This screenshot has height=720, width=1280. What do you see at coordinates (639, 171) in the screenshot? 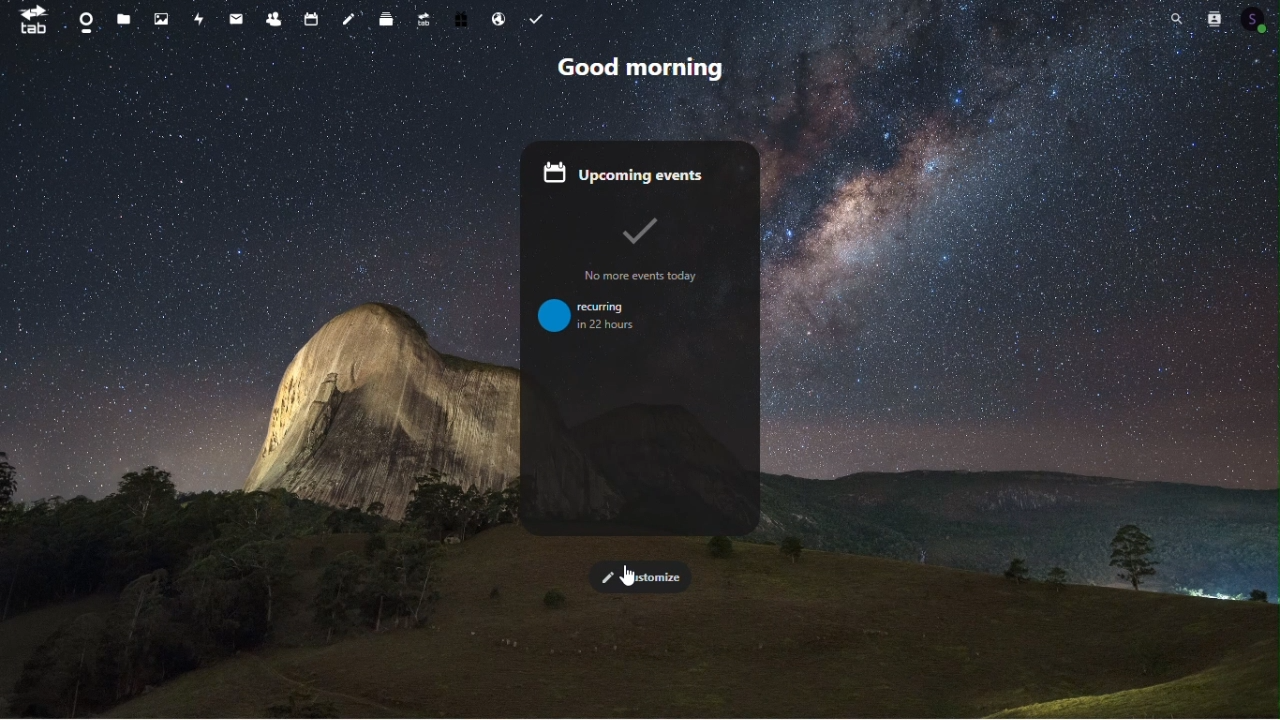
I see `Upcoming events` at bounding box center [639, 171].